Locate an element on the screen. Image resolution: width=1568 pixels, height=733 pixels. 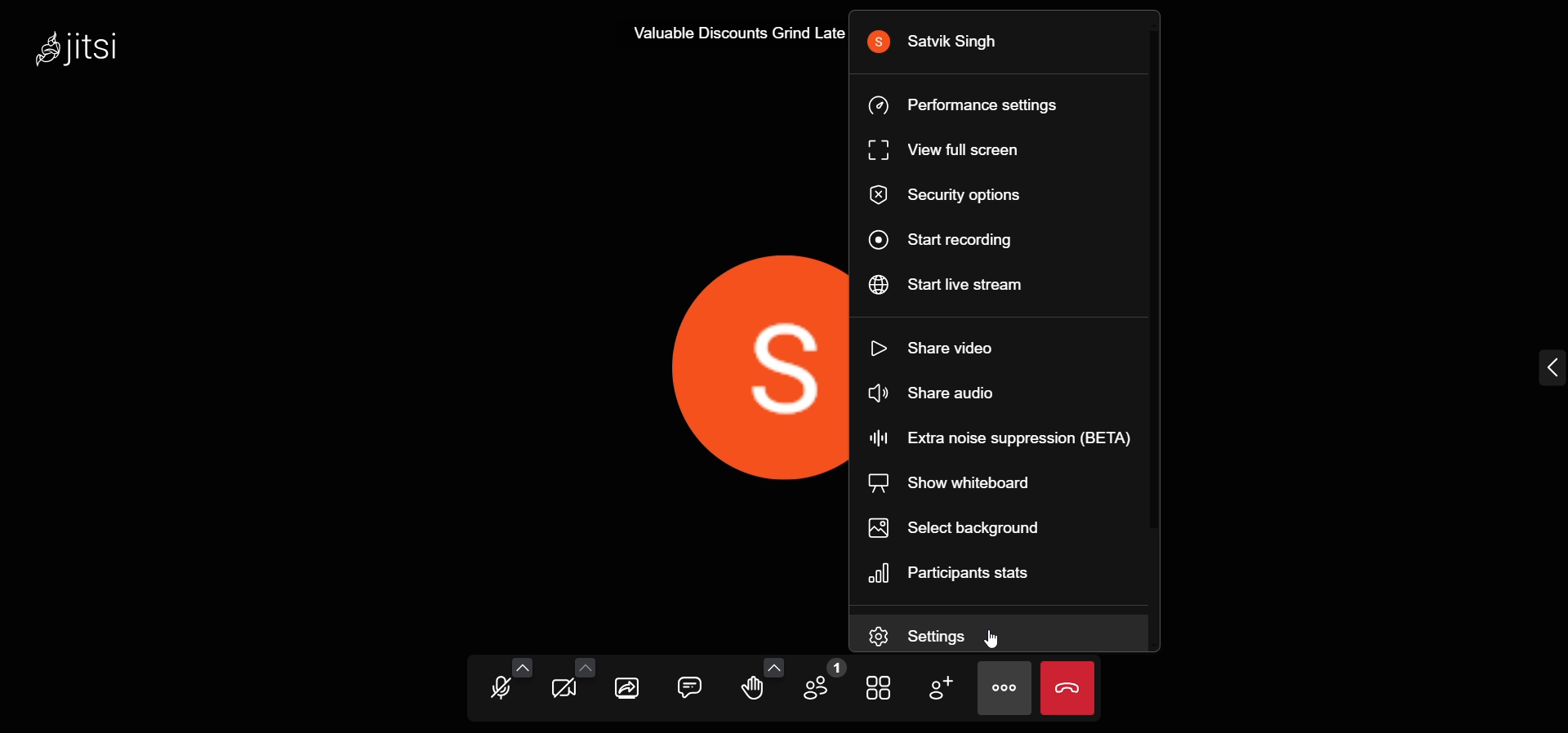
share audio is located at coordinates (930, 392).